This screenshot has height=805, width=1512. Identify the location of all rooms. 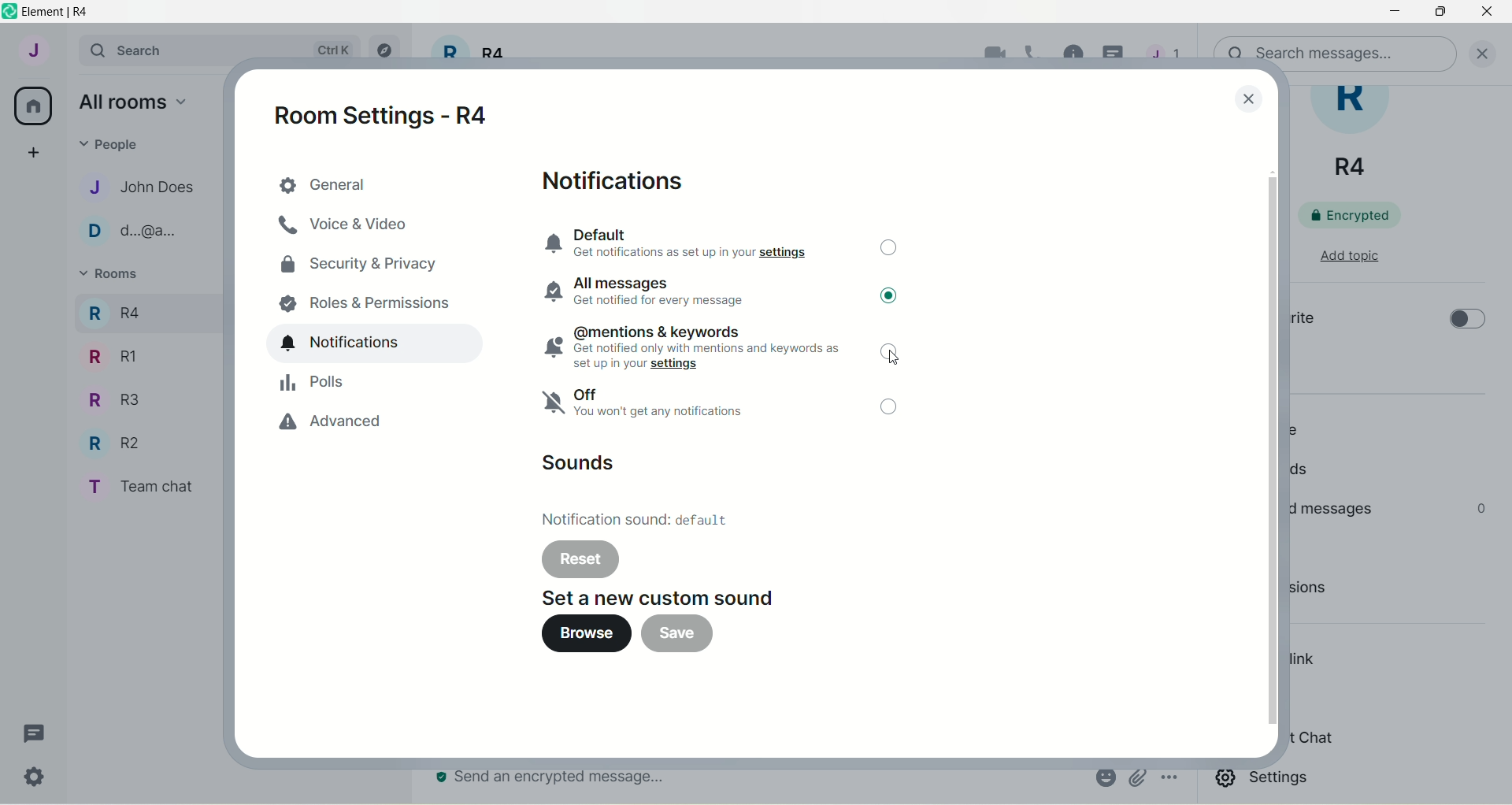
(34, 106).